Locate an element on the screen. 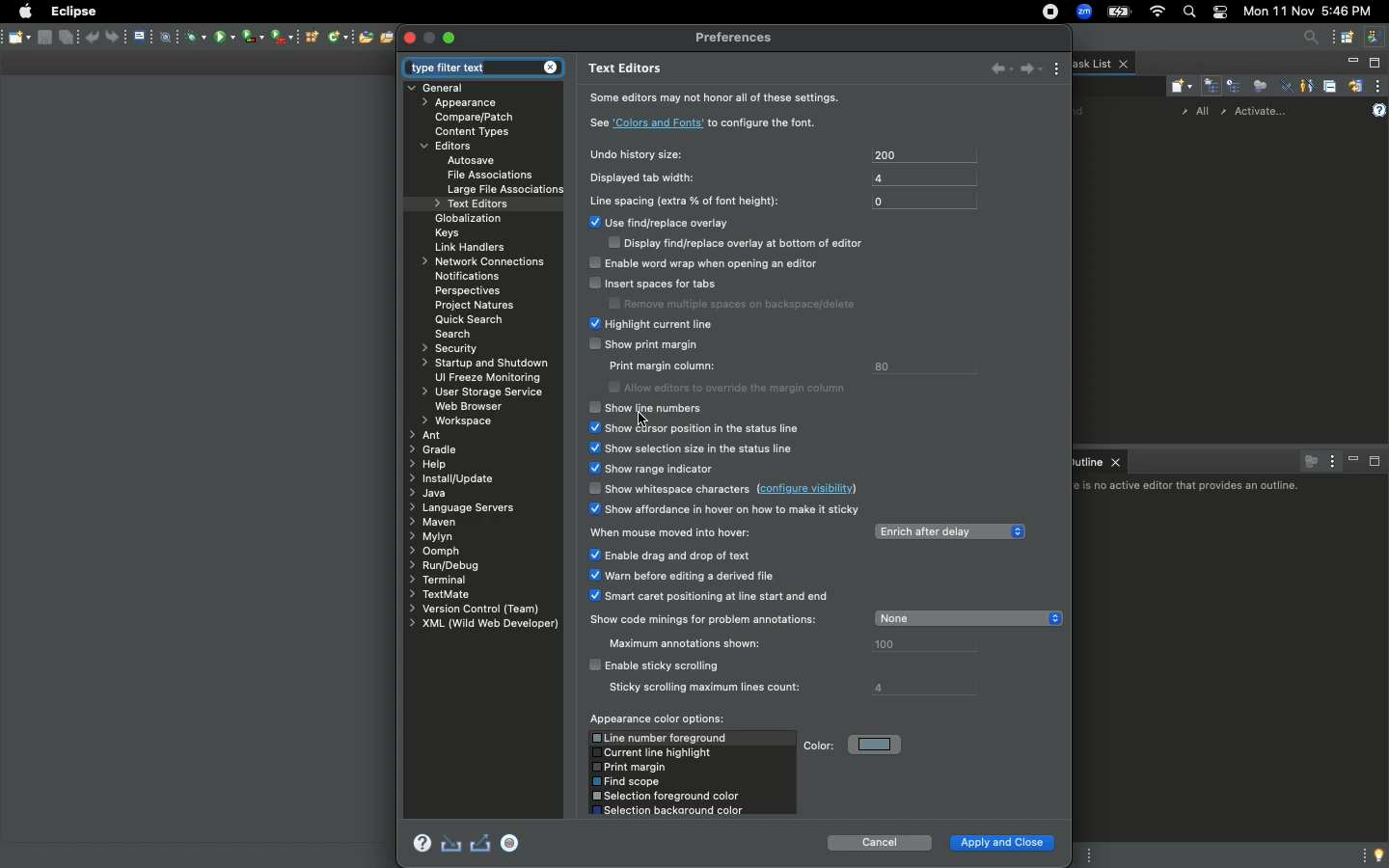  New task is located at coordinates (1178, 85).